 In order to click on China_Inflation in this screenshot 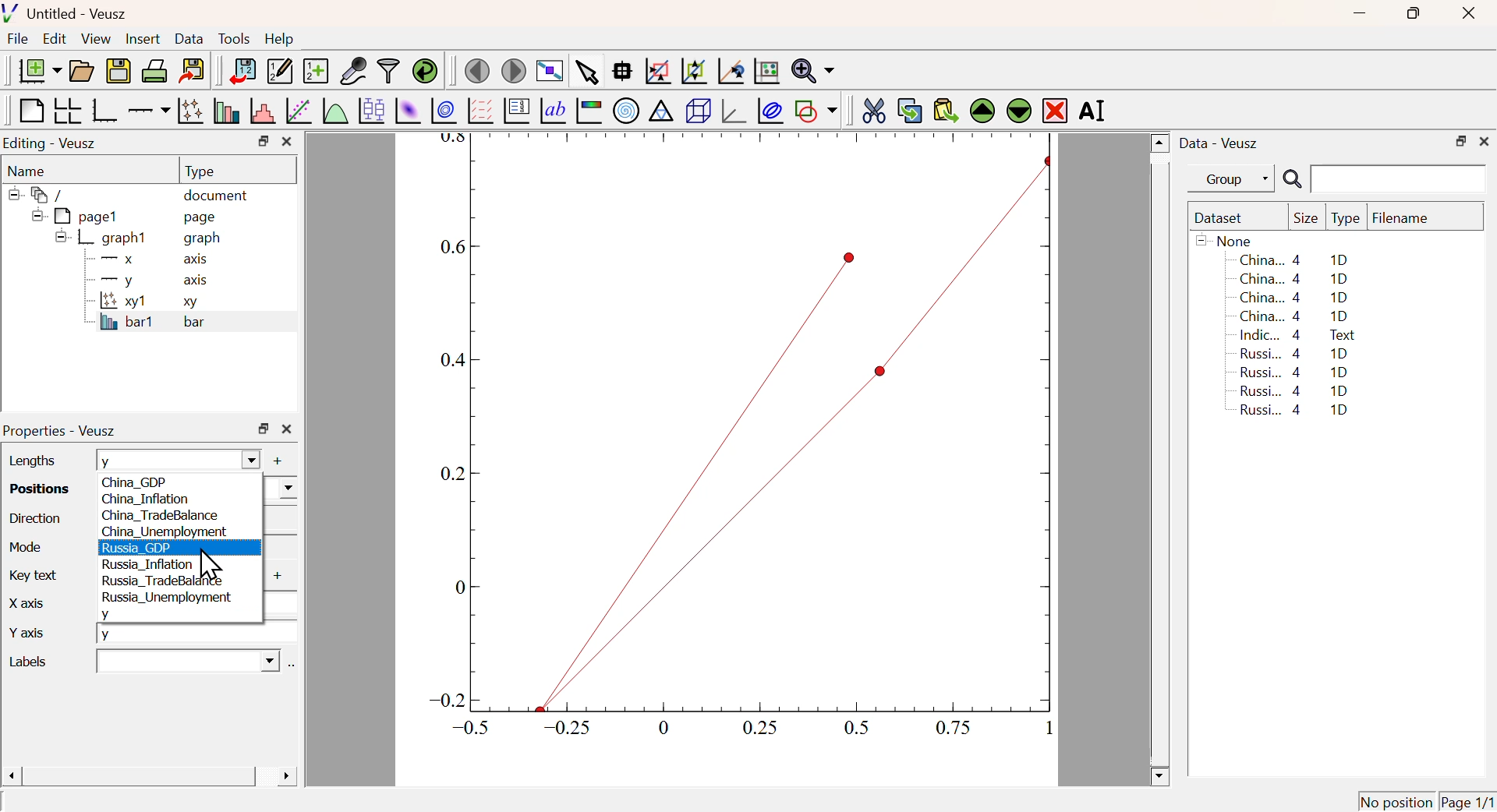, I will do `click(145, 500)`.